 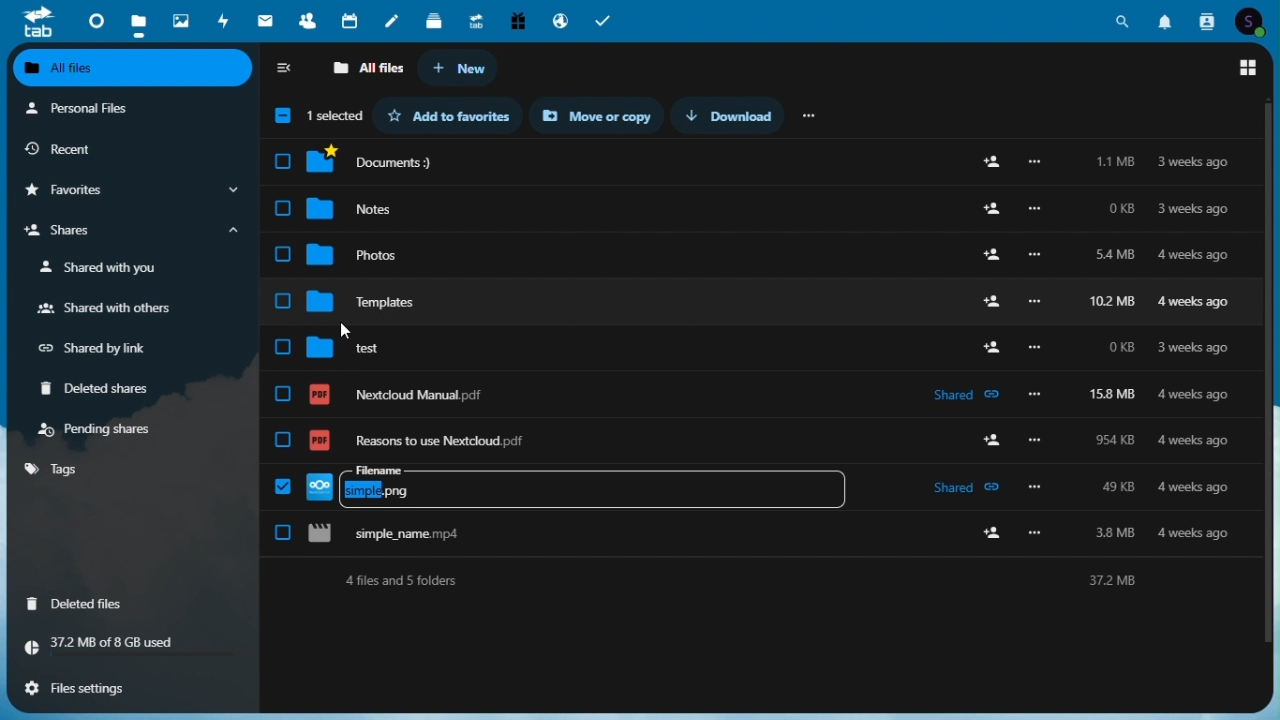 I want to click on cursor, so click(x=347, y=330).